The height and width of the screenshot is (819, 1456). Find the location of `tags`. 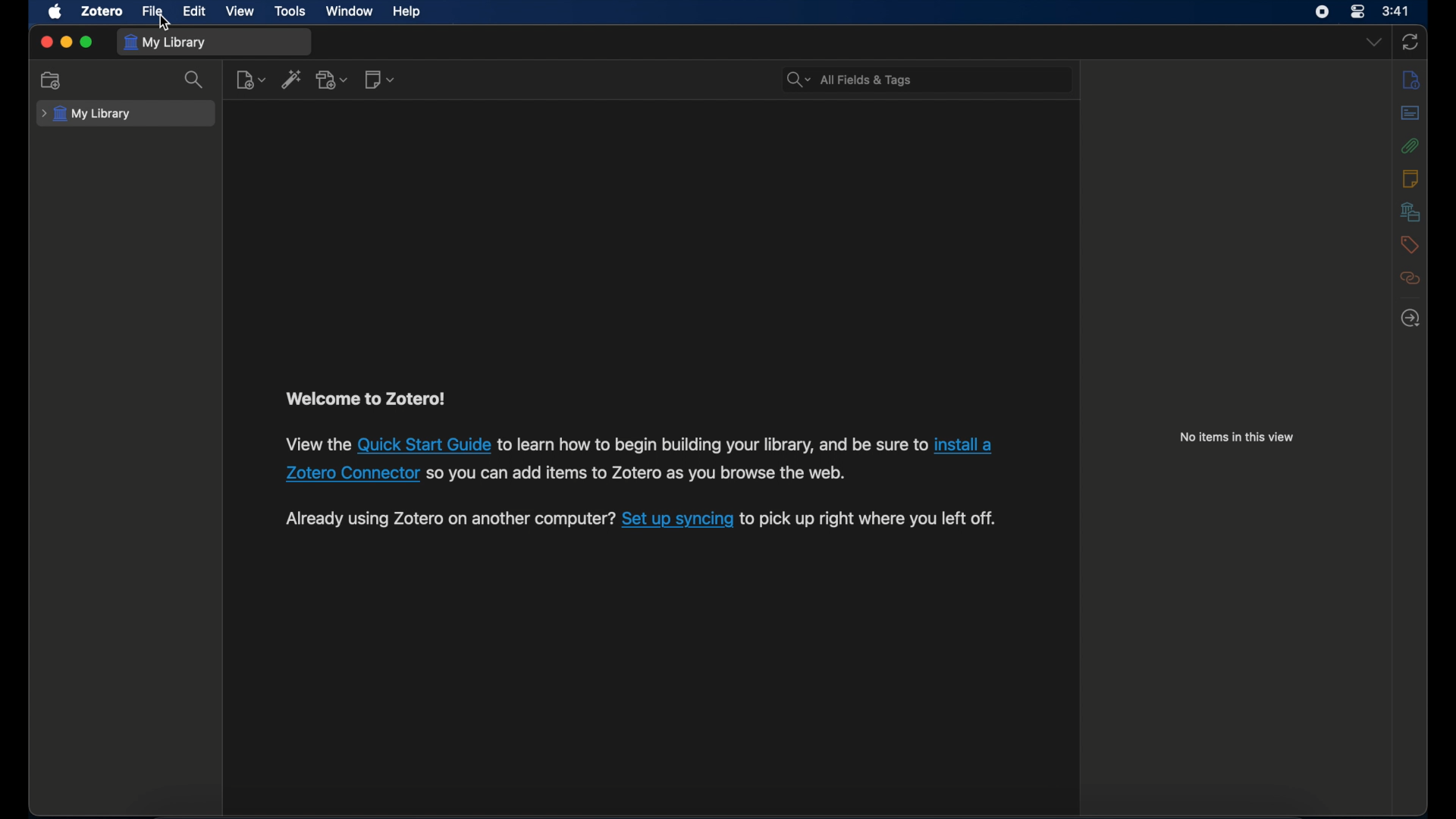

tags is located at coordinates (1410, 245).